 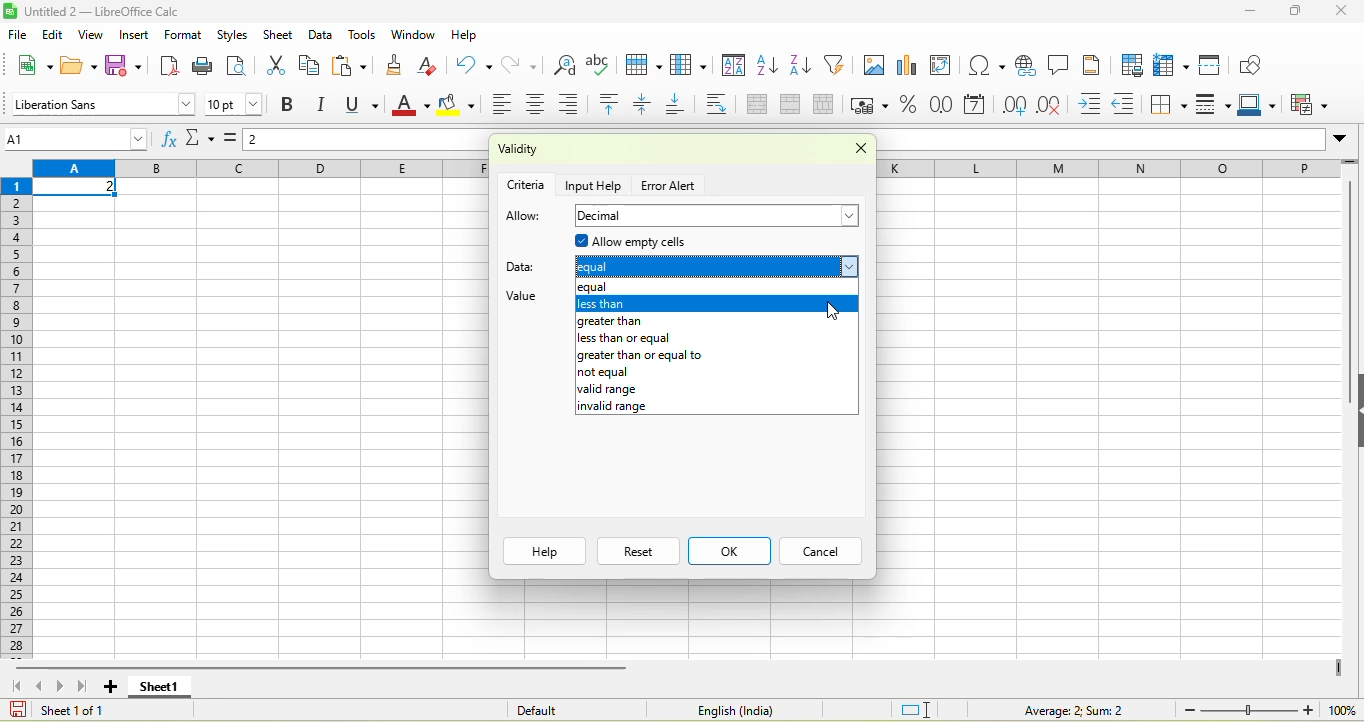 I want to click on chart, so click(x=909, y=67).